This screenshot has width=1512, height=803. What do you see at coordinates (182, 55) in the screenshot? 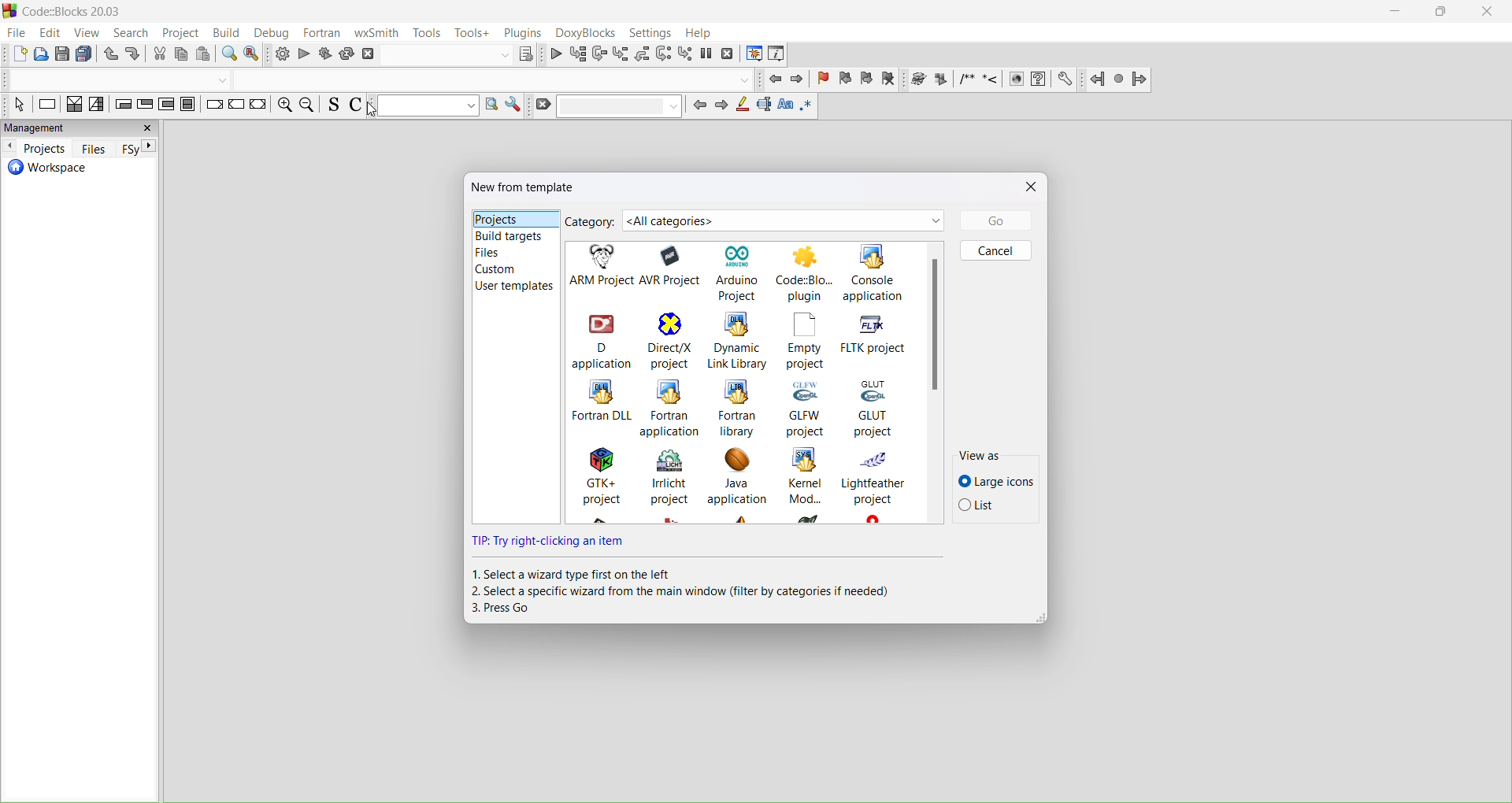
I see `copy` at bounding box center [182, 55].